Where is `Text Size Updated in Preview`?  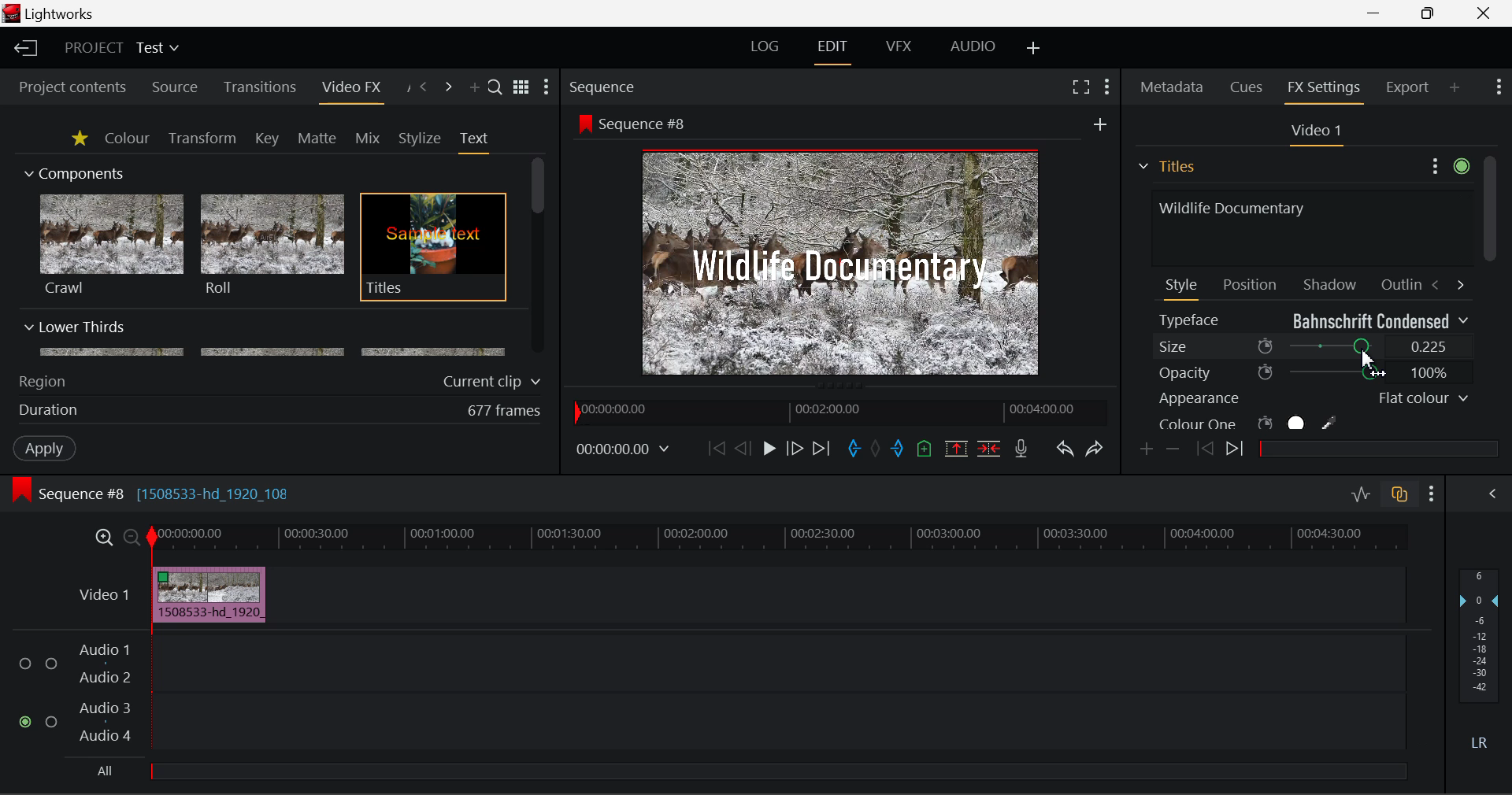 Text Size Updated in Preview is located at coordinates (844, 265).